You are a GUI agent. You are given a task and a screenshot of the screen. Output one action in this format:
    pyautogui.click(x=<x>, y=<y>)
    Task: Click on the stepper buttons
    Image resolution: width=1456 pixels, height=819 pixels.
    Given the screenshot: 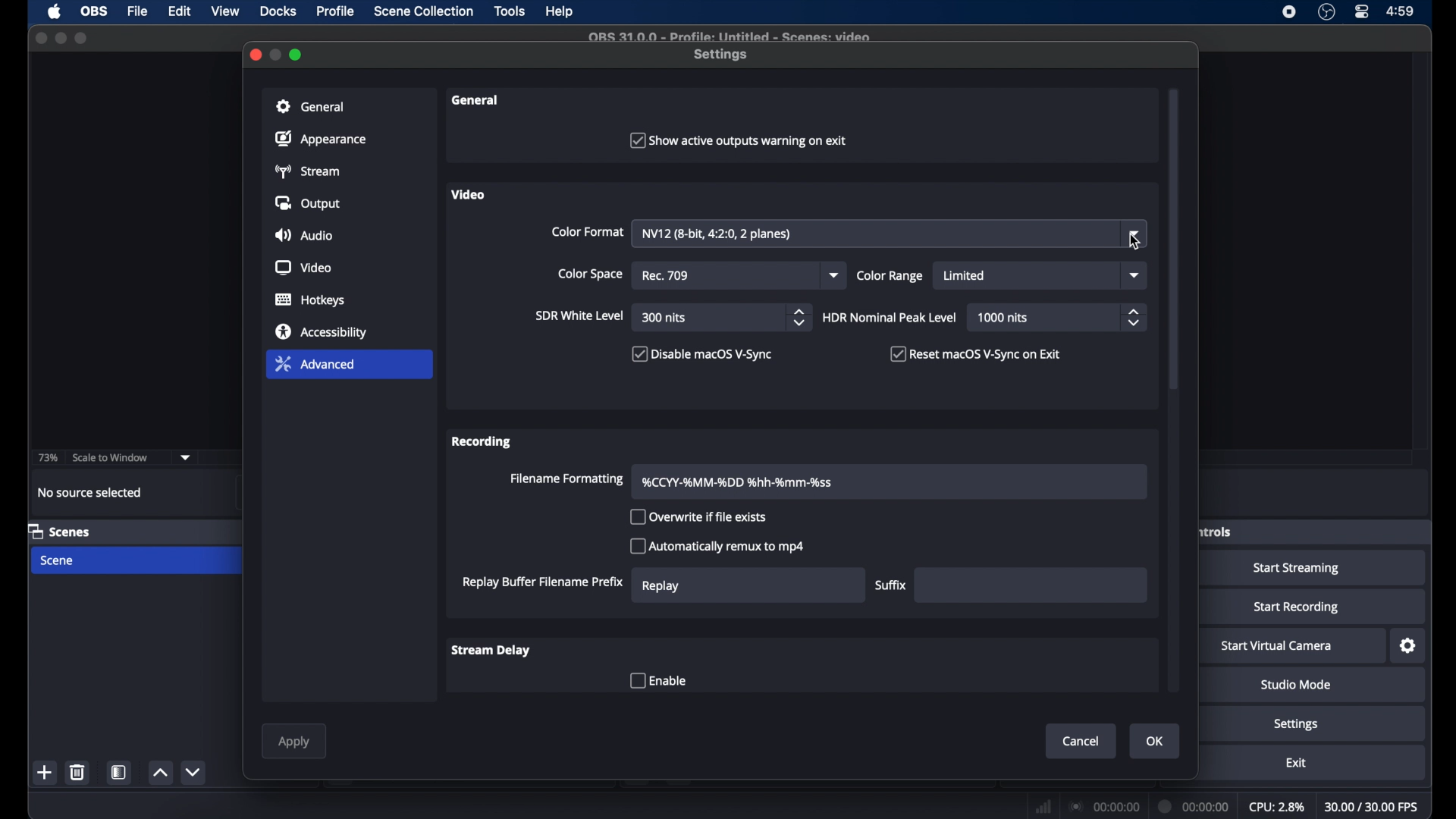 What is the action you would take?
    pyautogui.click(x=799, y=317)
    